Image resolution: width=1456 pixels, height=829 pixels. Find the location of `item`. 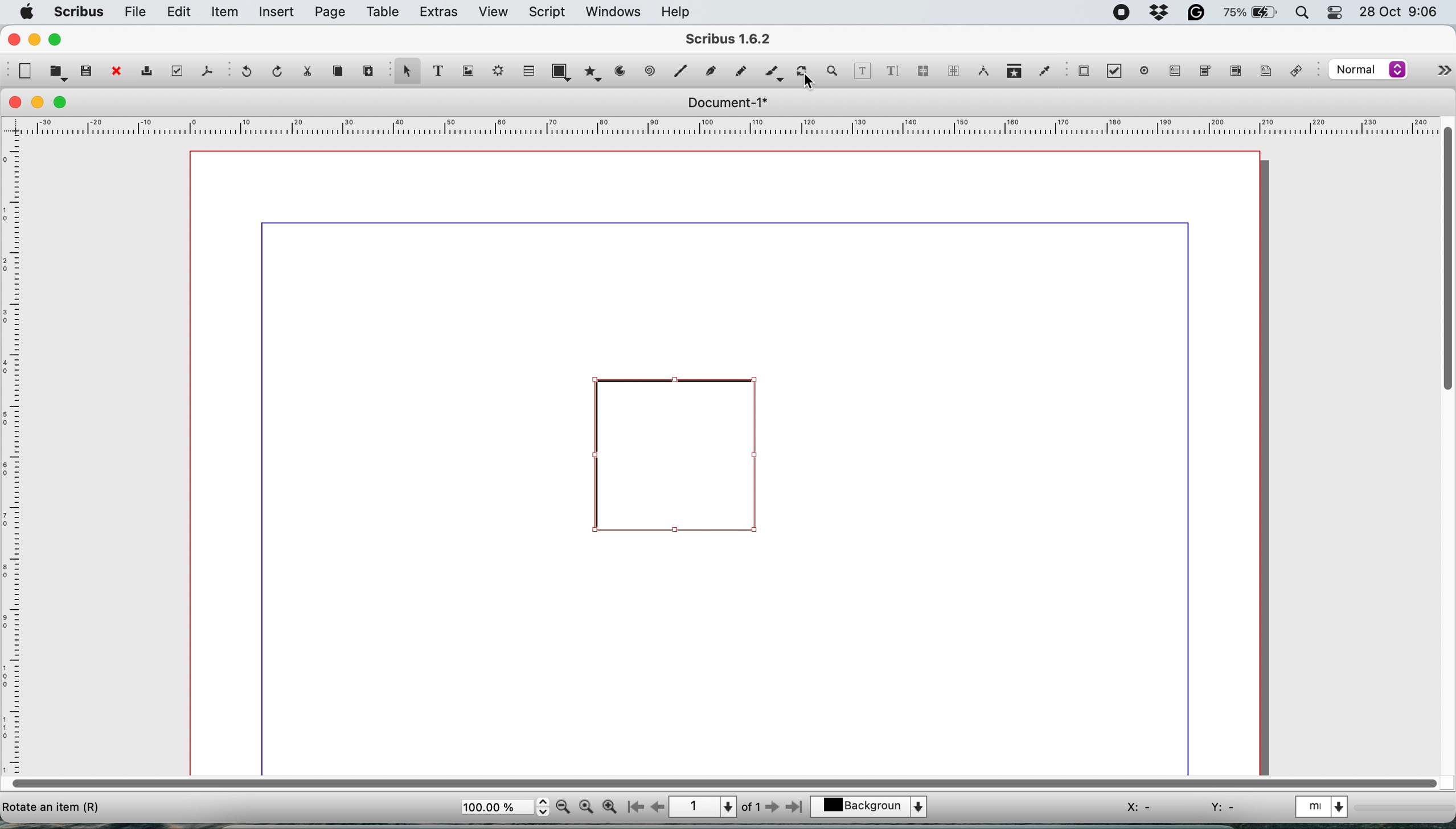

item is located at coordinates (226, 14).